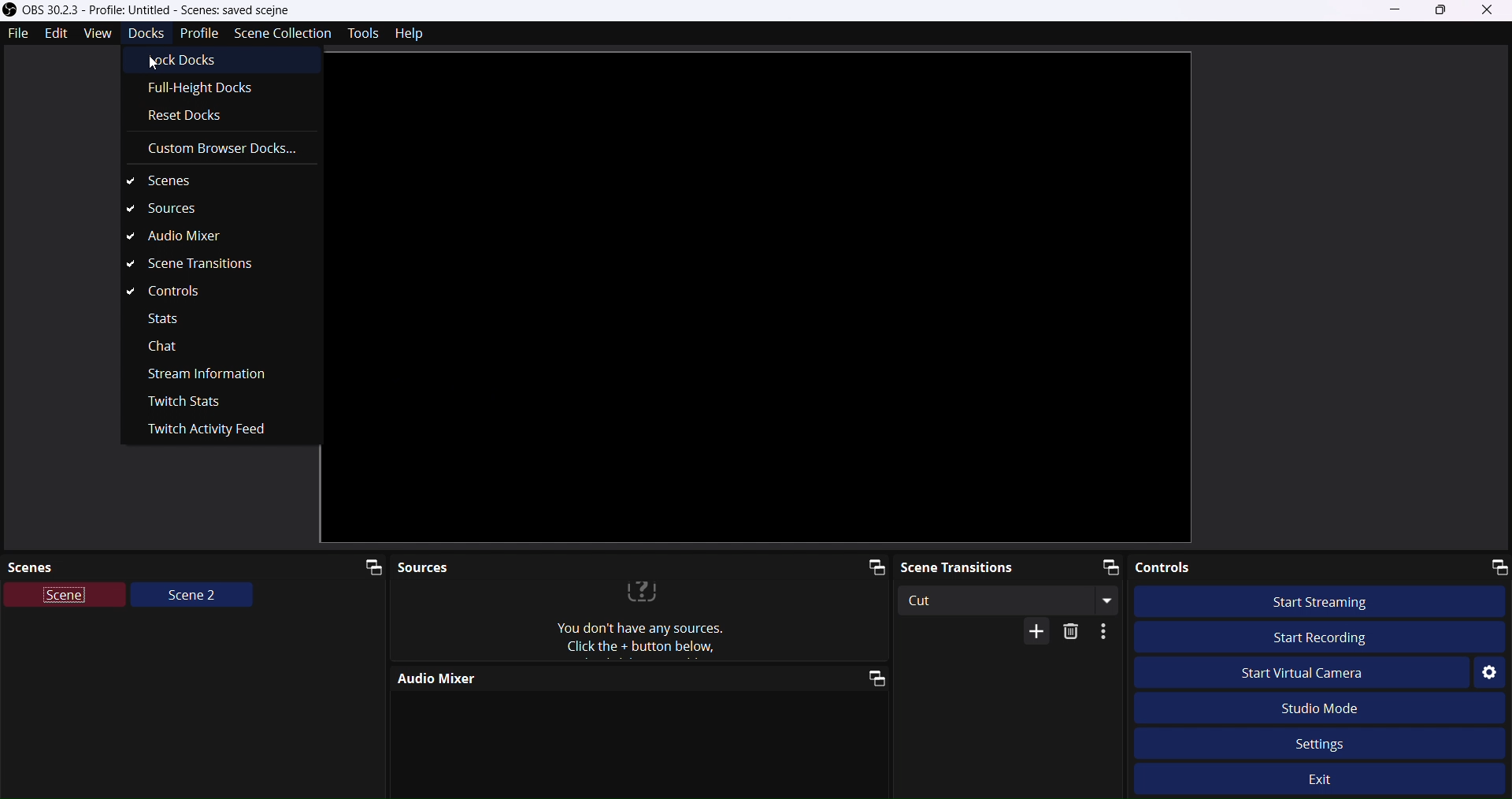 This screenshot has height=799, width=1512. I want to click on dock panel, so click(1102, 566).